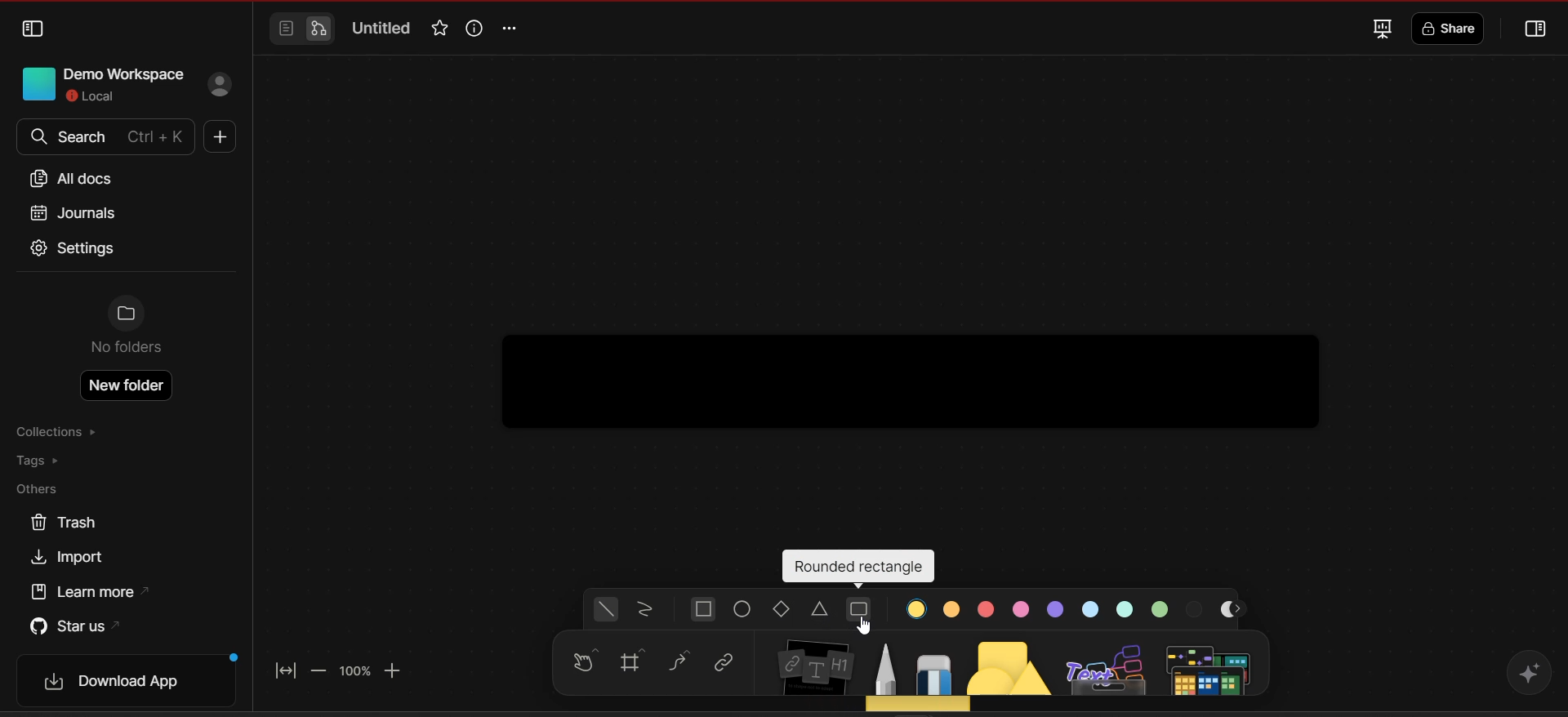  What do you see at coordinates (1126, 608) in the screenshot?
I see `color 7` at bounding box center [1126, 608].